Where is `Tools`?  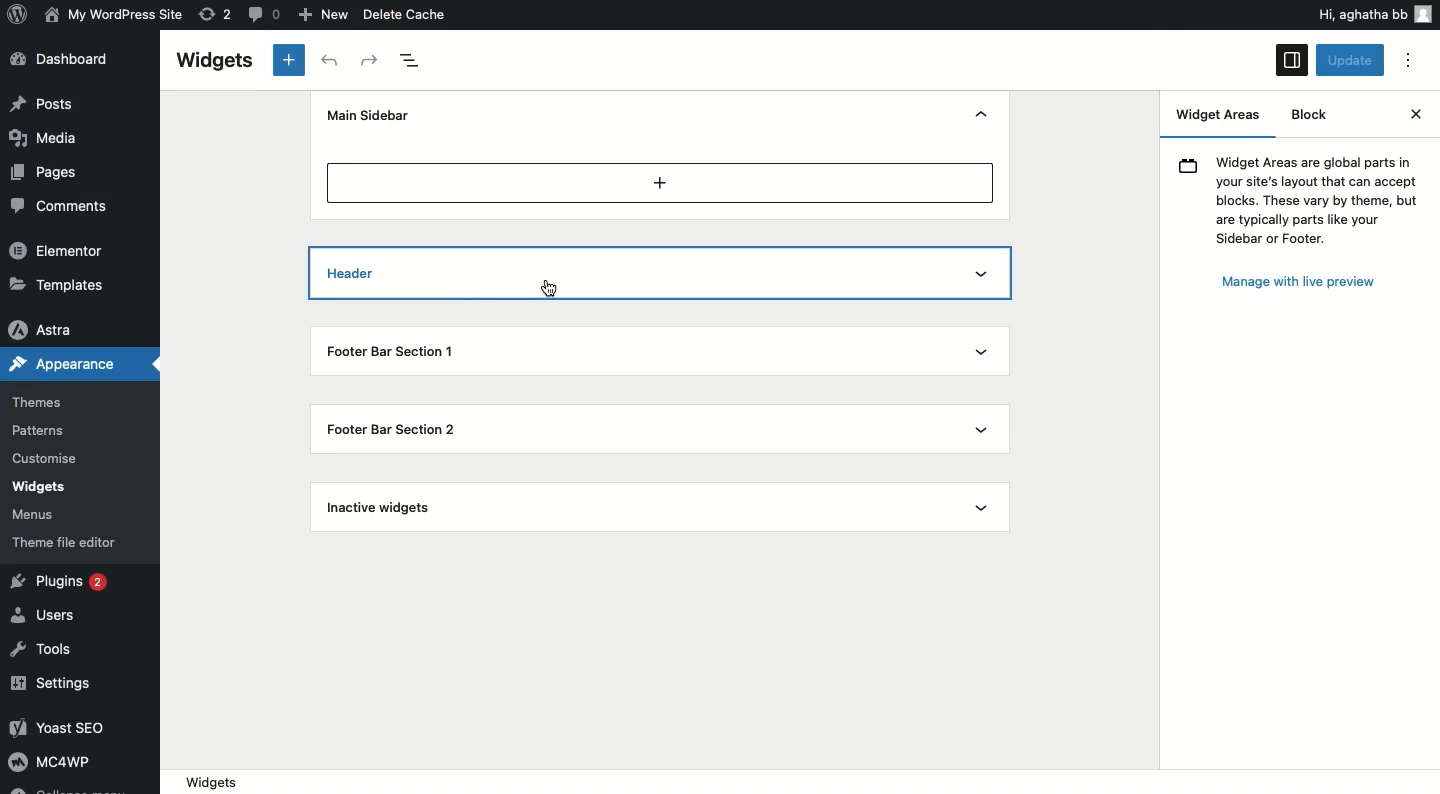
Tools is located at coordinates (43, 651).